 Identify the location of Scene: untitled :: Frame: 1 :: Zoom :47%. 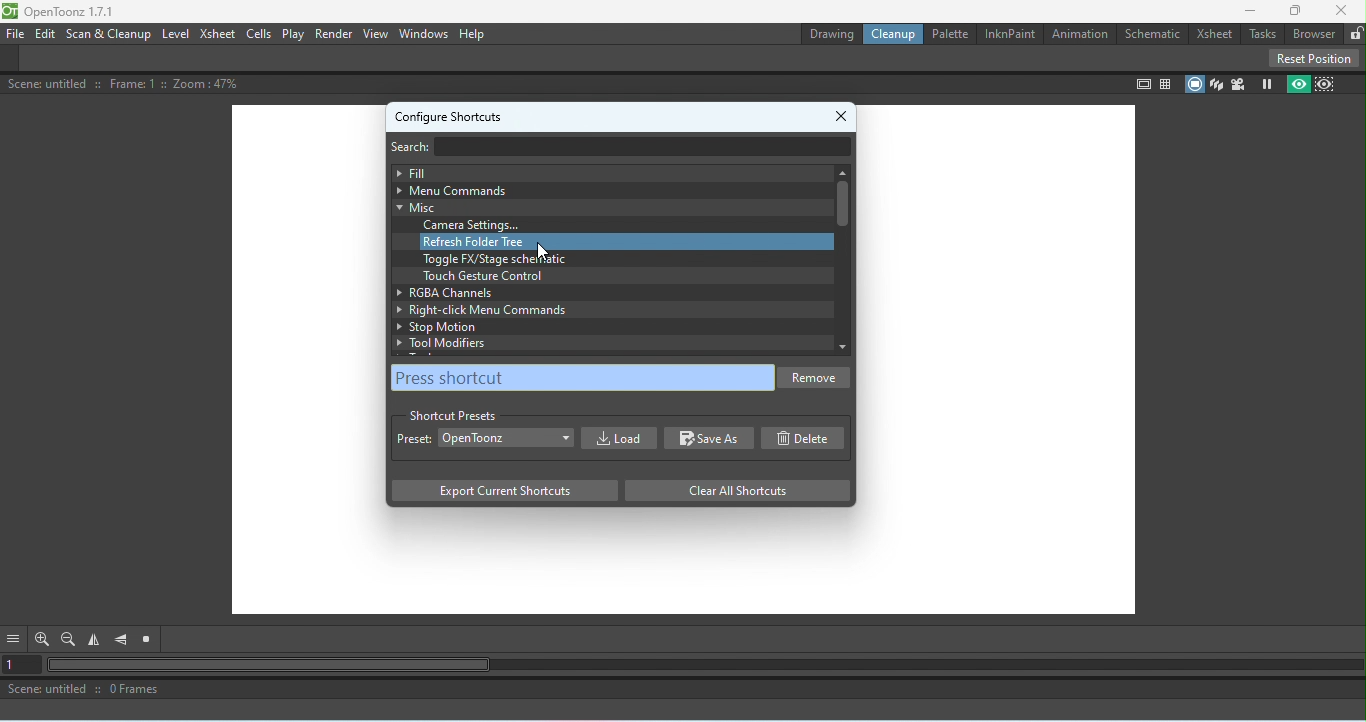
(126, 84).